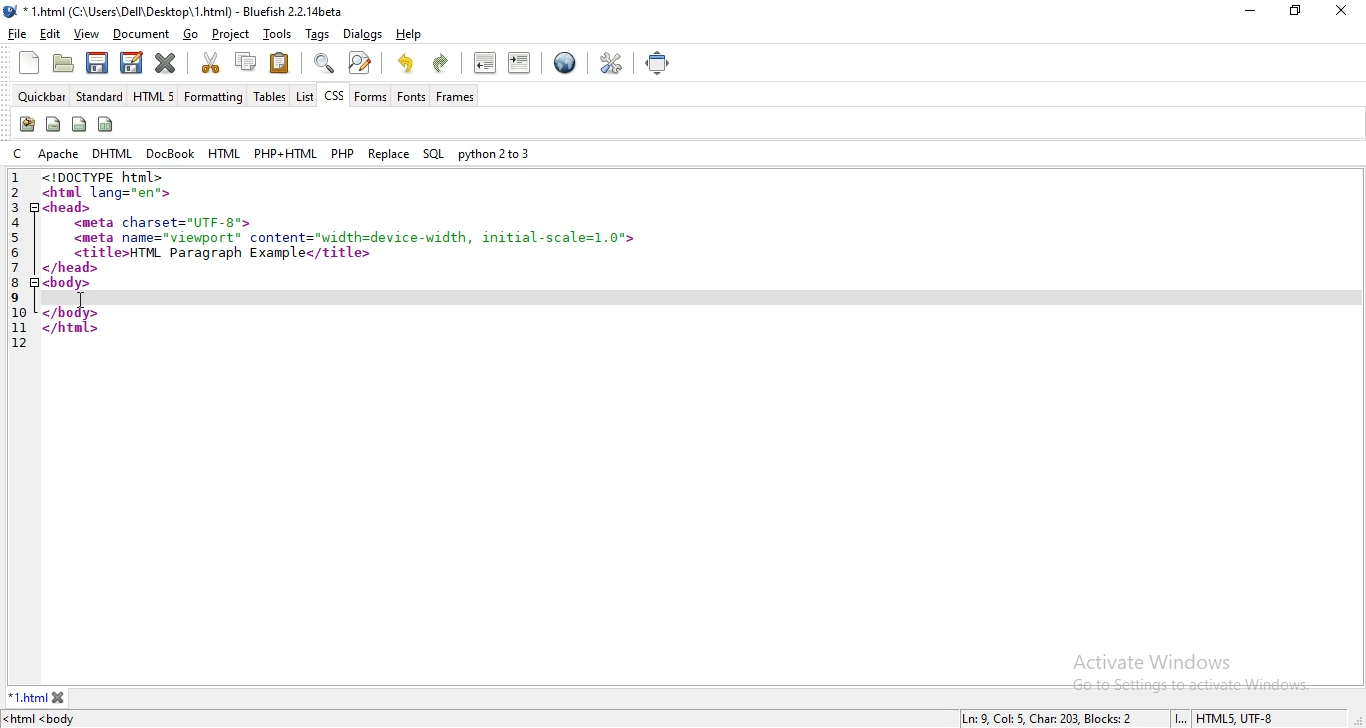 This screenshot has height=728, width=1366. Describe the element at coordinates (79, 125) in the screenshot. I see `div` at that location.